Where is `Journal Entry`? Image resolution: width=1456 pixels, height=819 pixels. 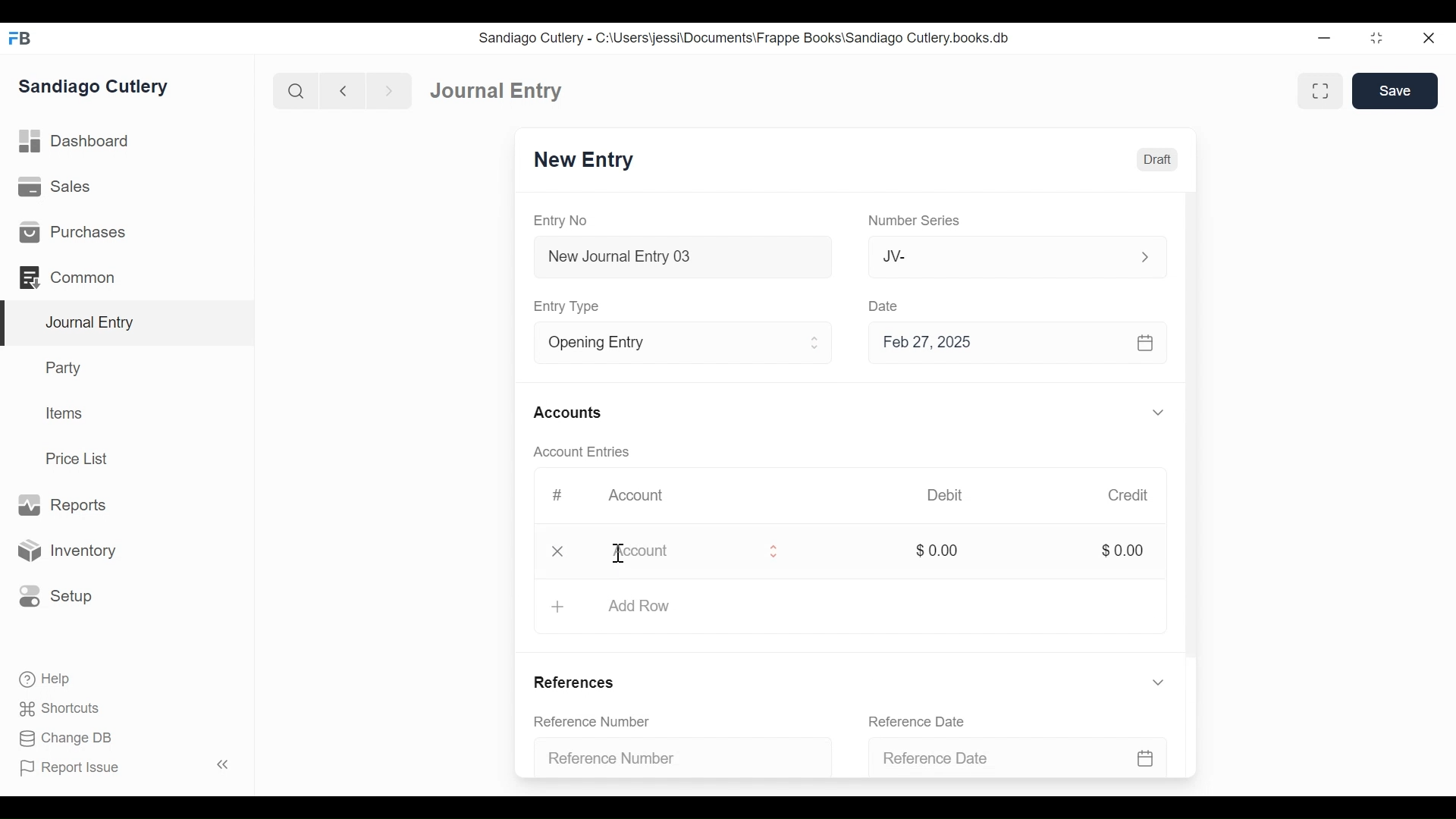 Journal Entry is located at coordinates (498, 91).